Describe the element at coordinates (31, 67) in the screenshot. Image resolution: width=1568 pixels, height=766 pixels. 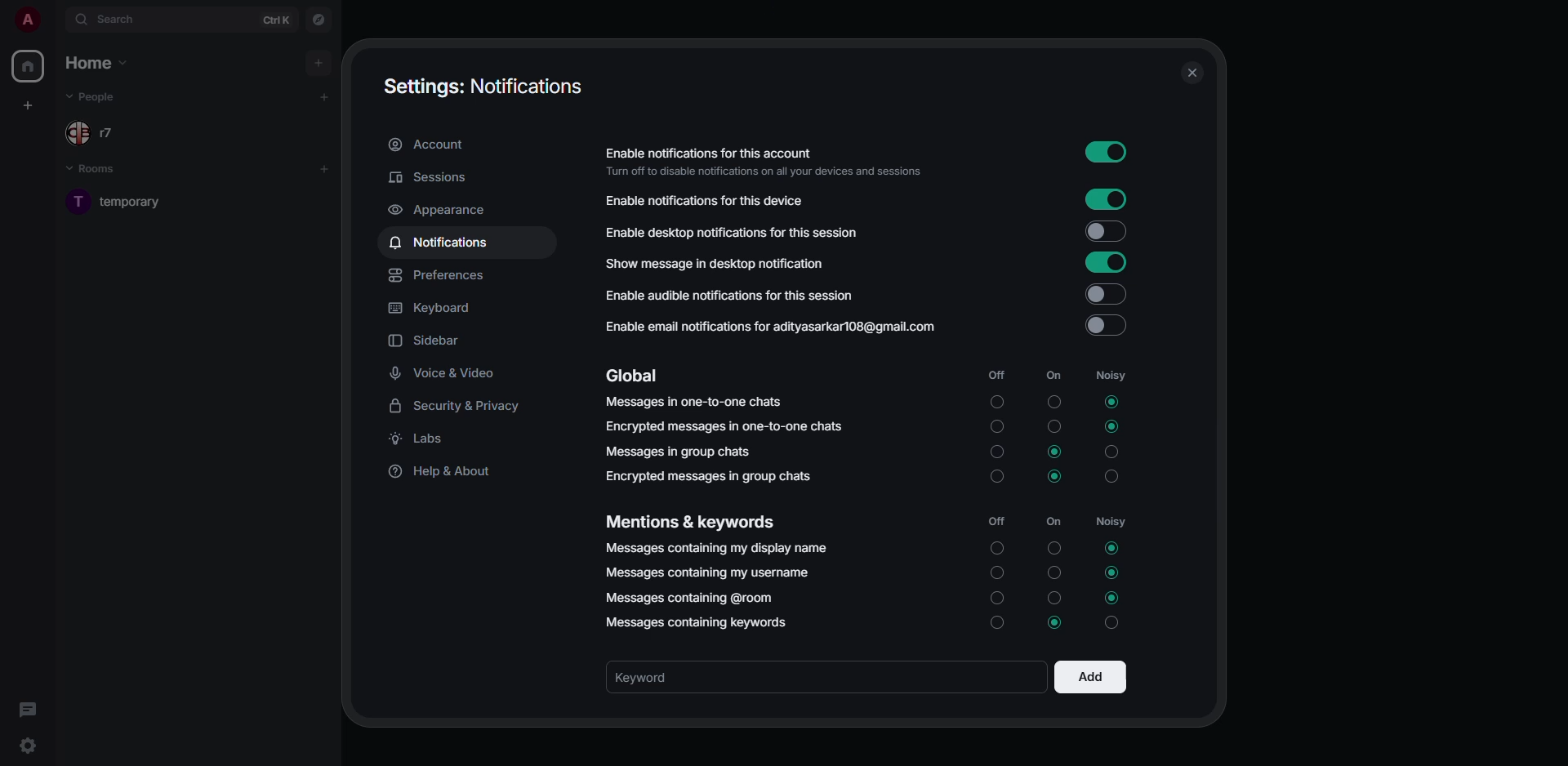
I see `home` at that location.